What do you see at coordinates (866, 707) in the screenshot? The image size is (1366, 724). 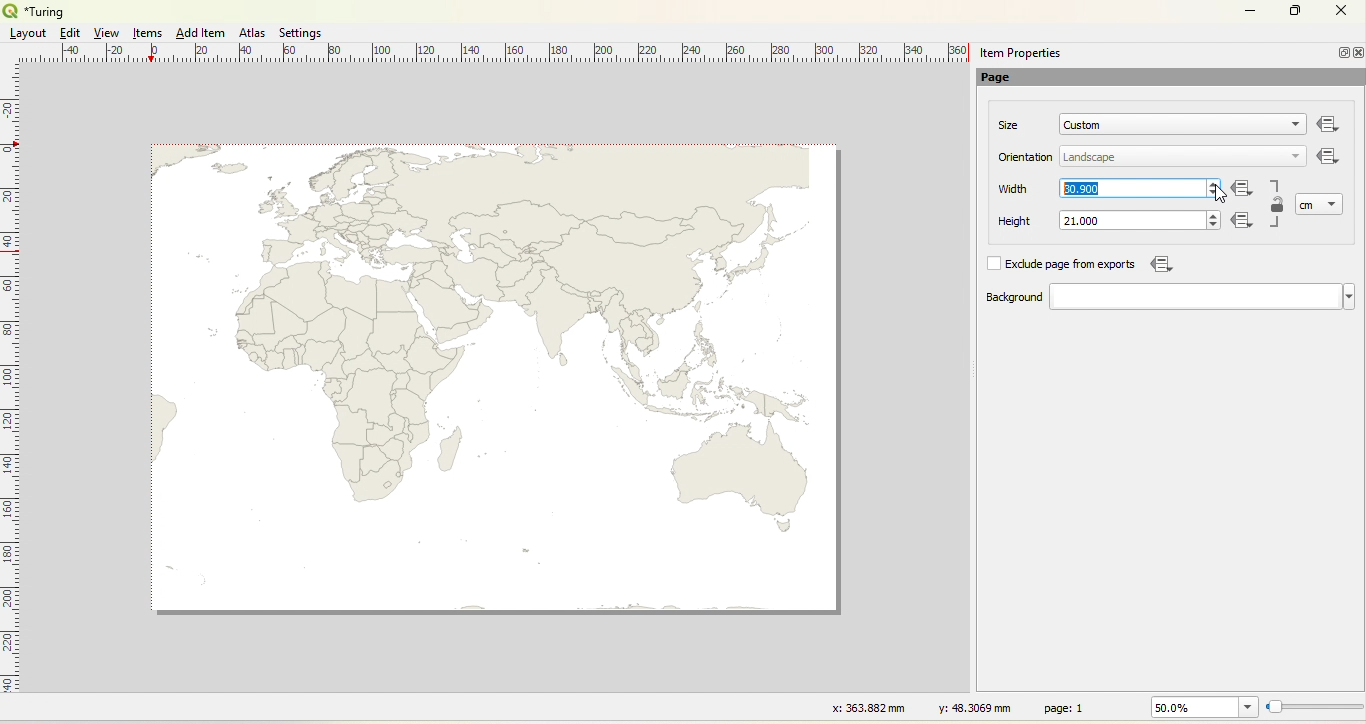 I see `x: 363.882 mm` at bounding box center [866, 707].